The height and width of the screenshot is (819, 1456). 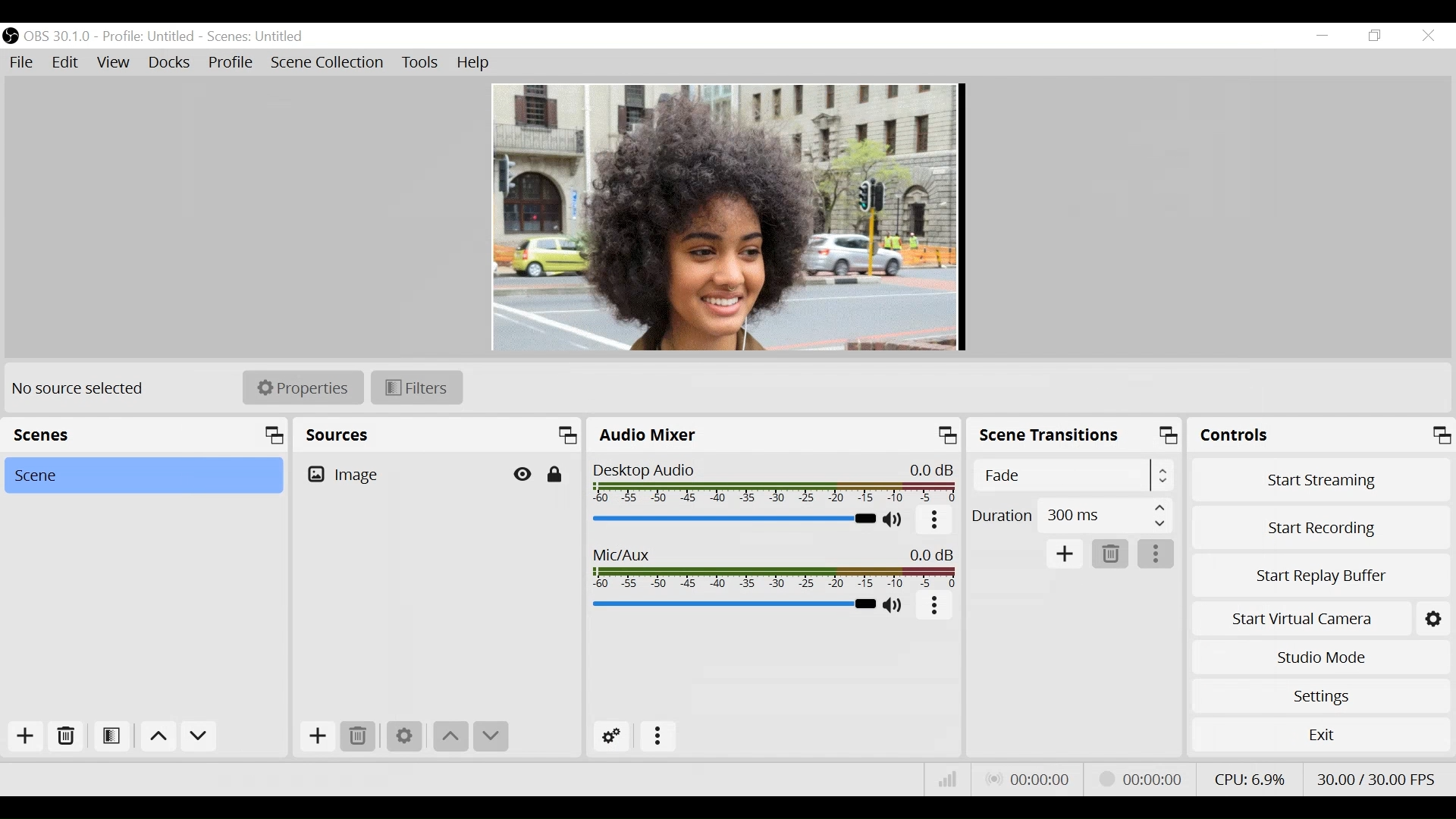 What do you see at coordinates (199, 738) in the screenshot?
I see `Move down` at bounding box center [199, 738].